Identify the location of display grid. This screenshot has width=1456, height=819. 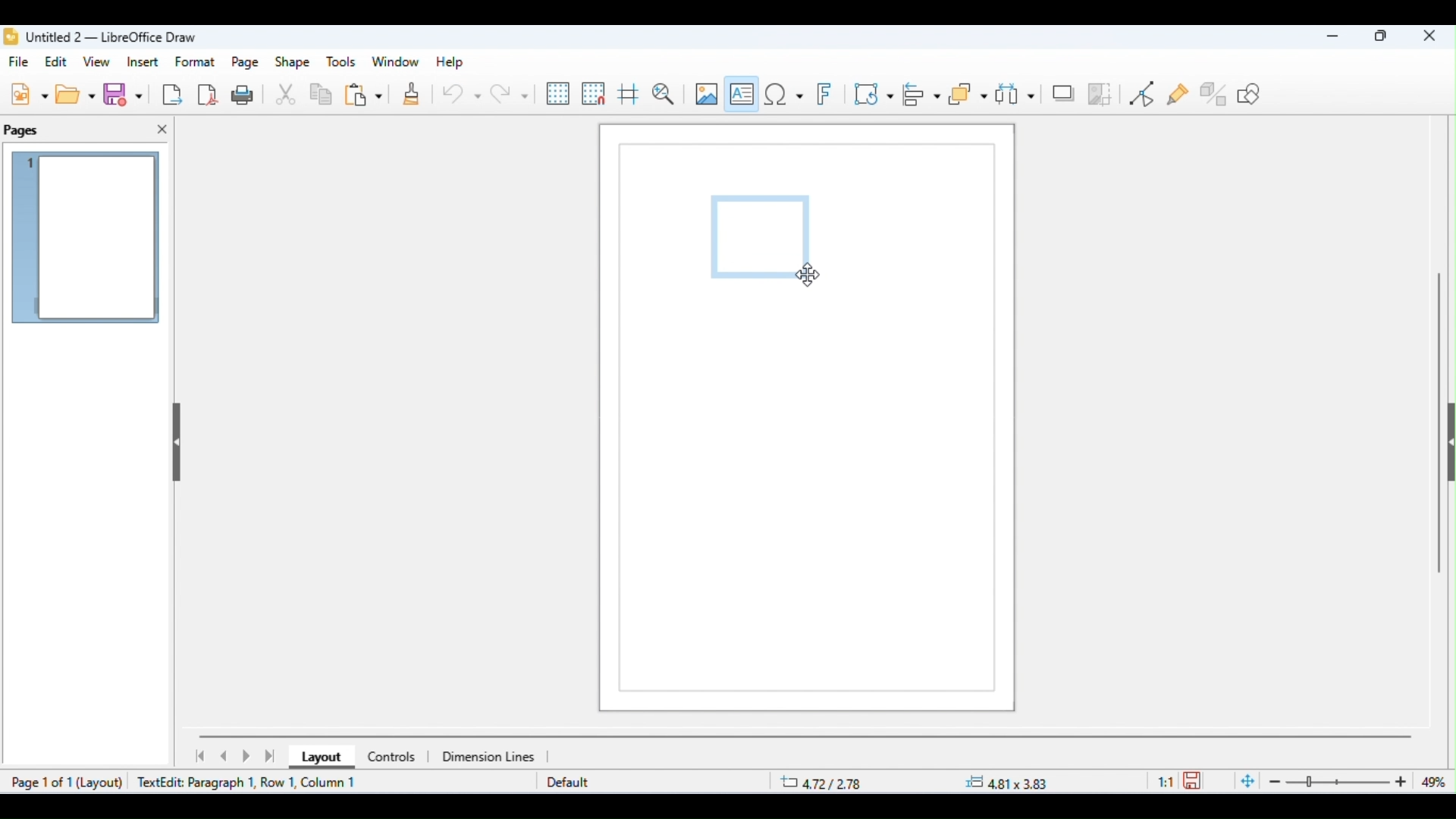
(559, 94).